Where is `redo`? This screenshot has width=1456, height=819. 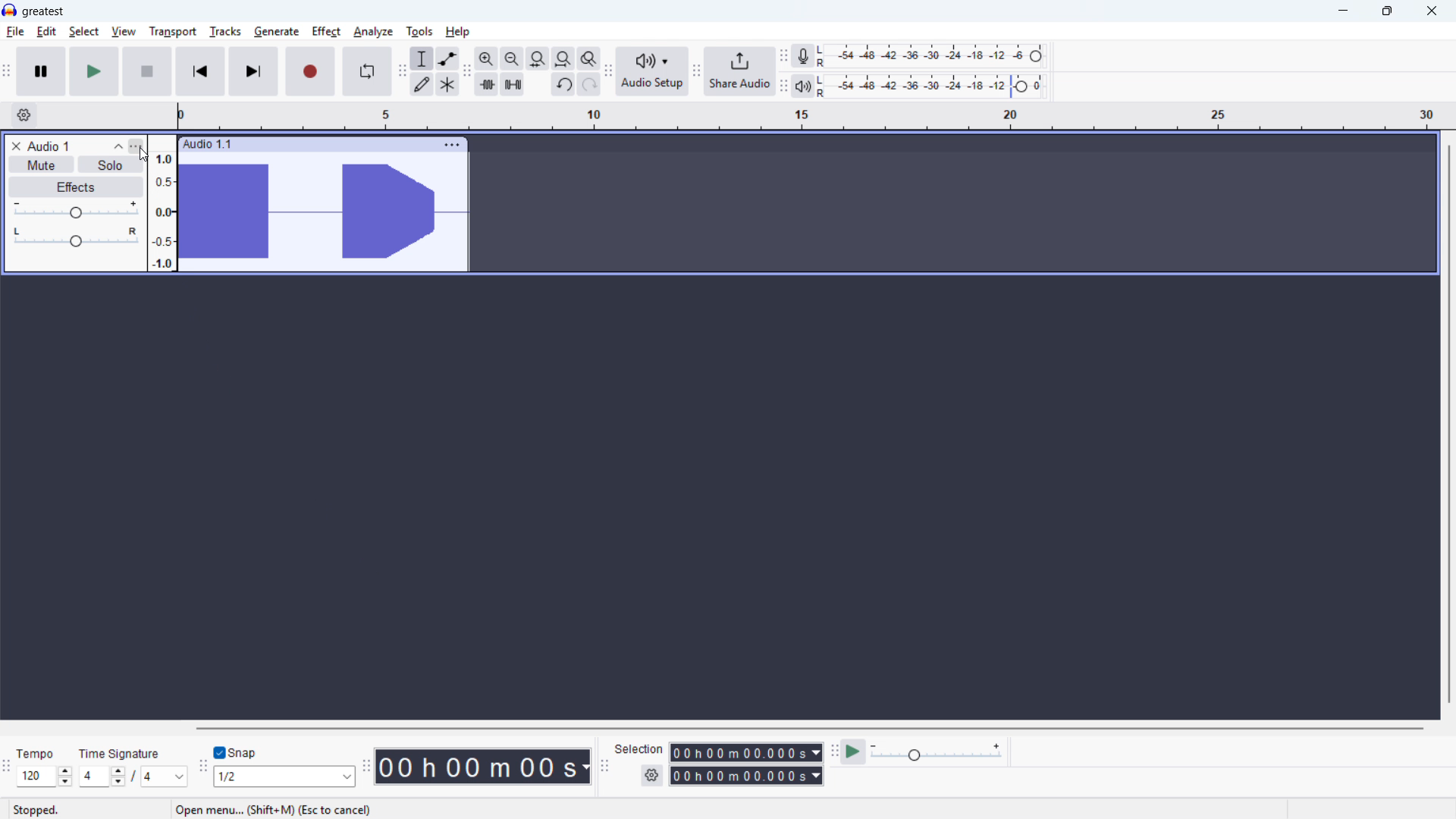
redo is located at coordinates (588, 85).